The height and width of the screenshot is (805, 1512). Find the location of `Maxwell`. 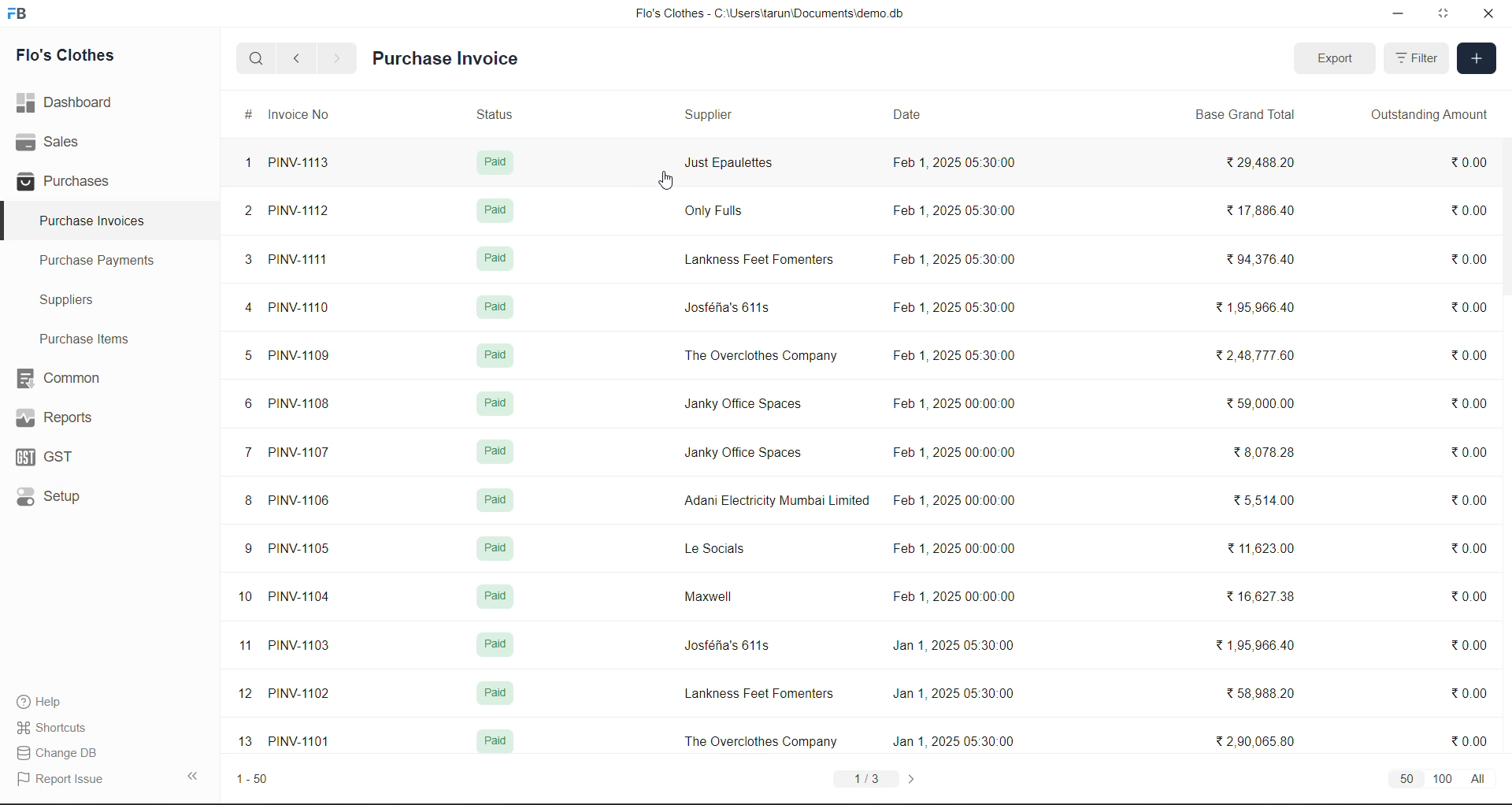

Maxwell is located at coordinates (709, 595).